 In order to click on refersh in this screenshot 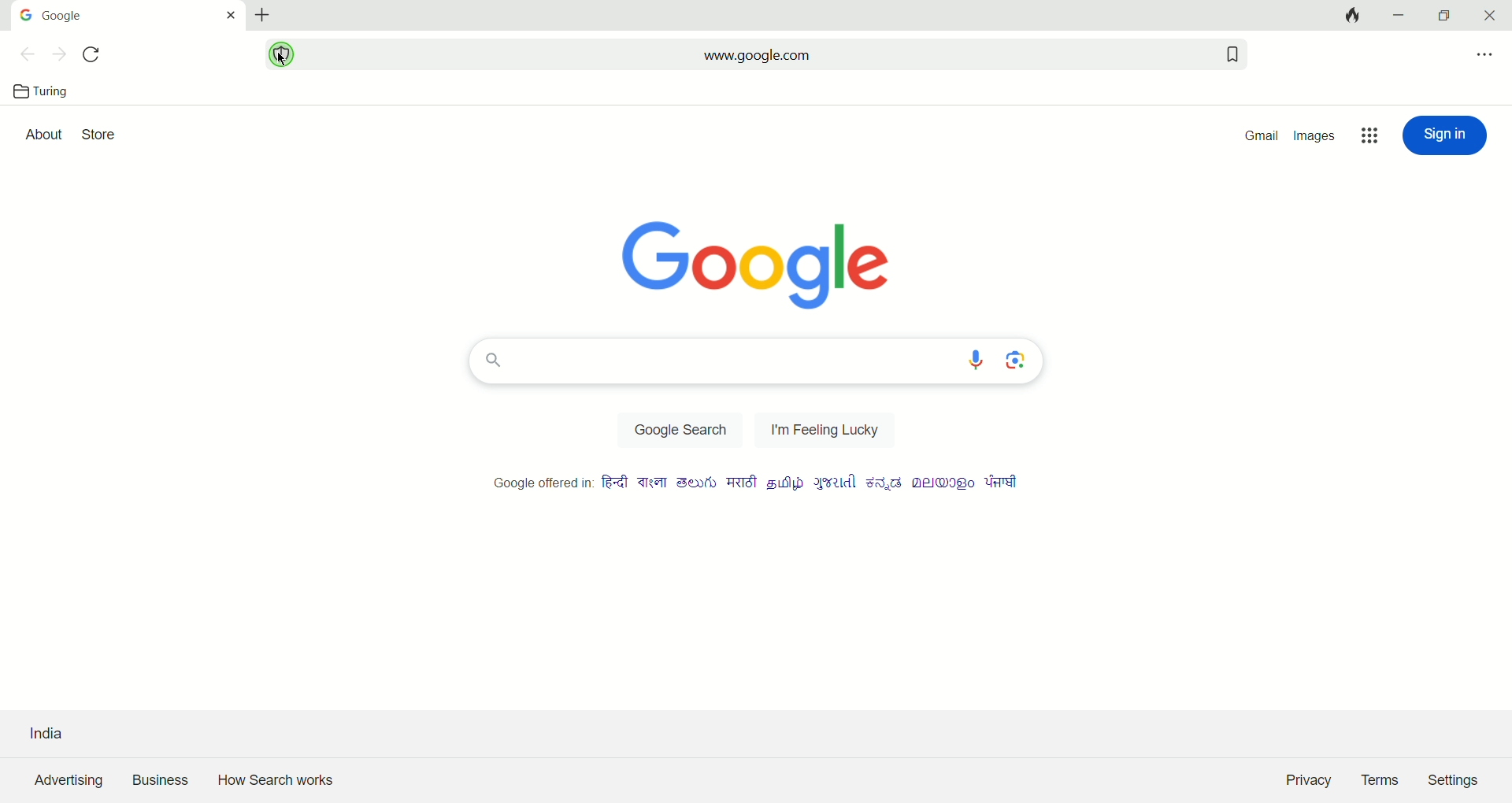, I will do `click(95, 55)`.